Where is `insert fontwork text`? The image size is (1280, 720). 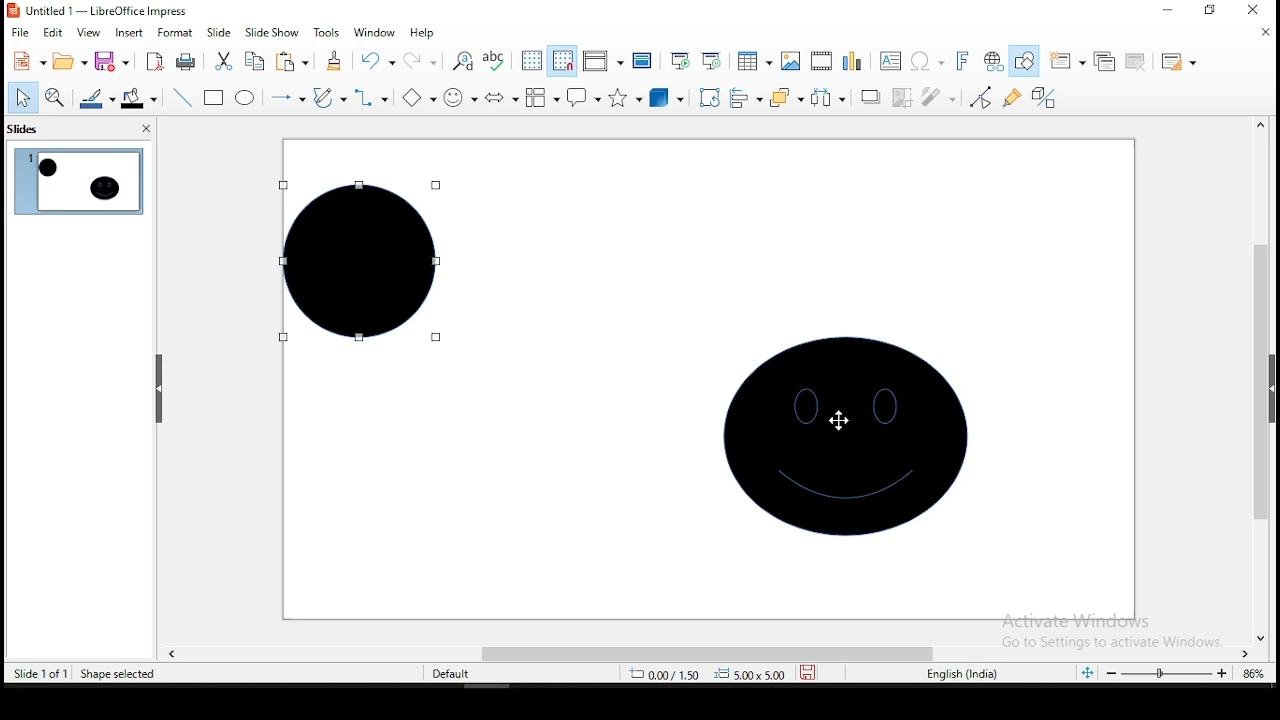
insert fontwork text is located at coordinates (964, 60).